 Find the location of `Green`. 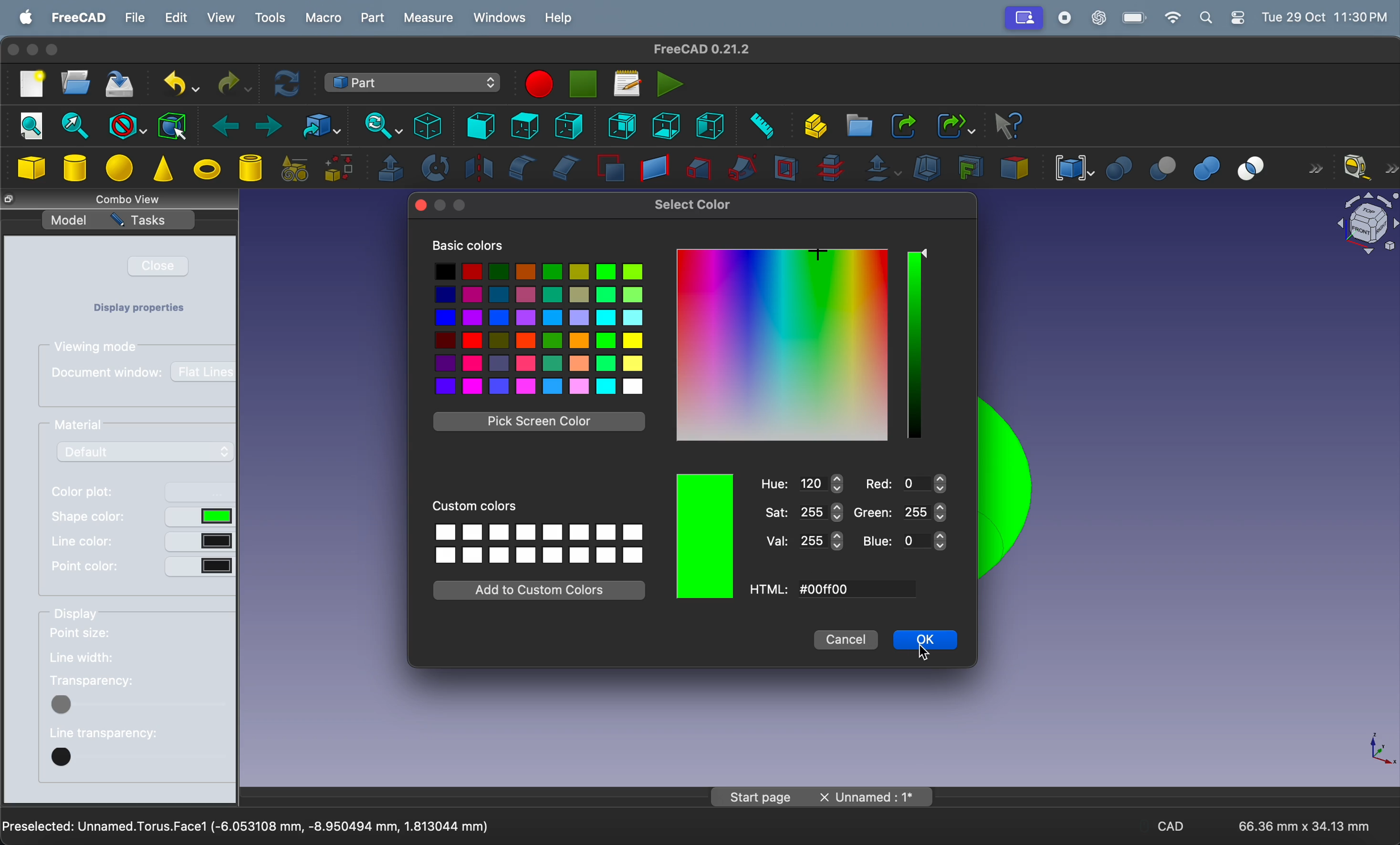

Green is located at coordinates (901, 512).